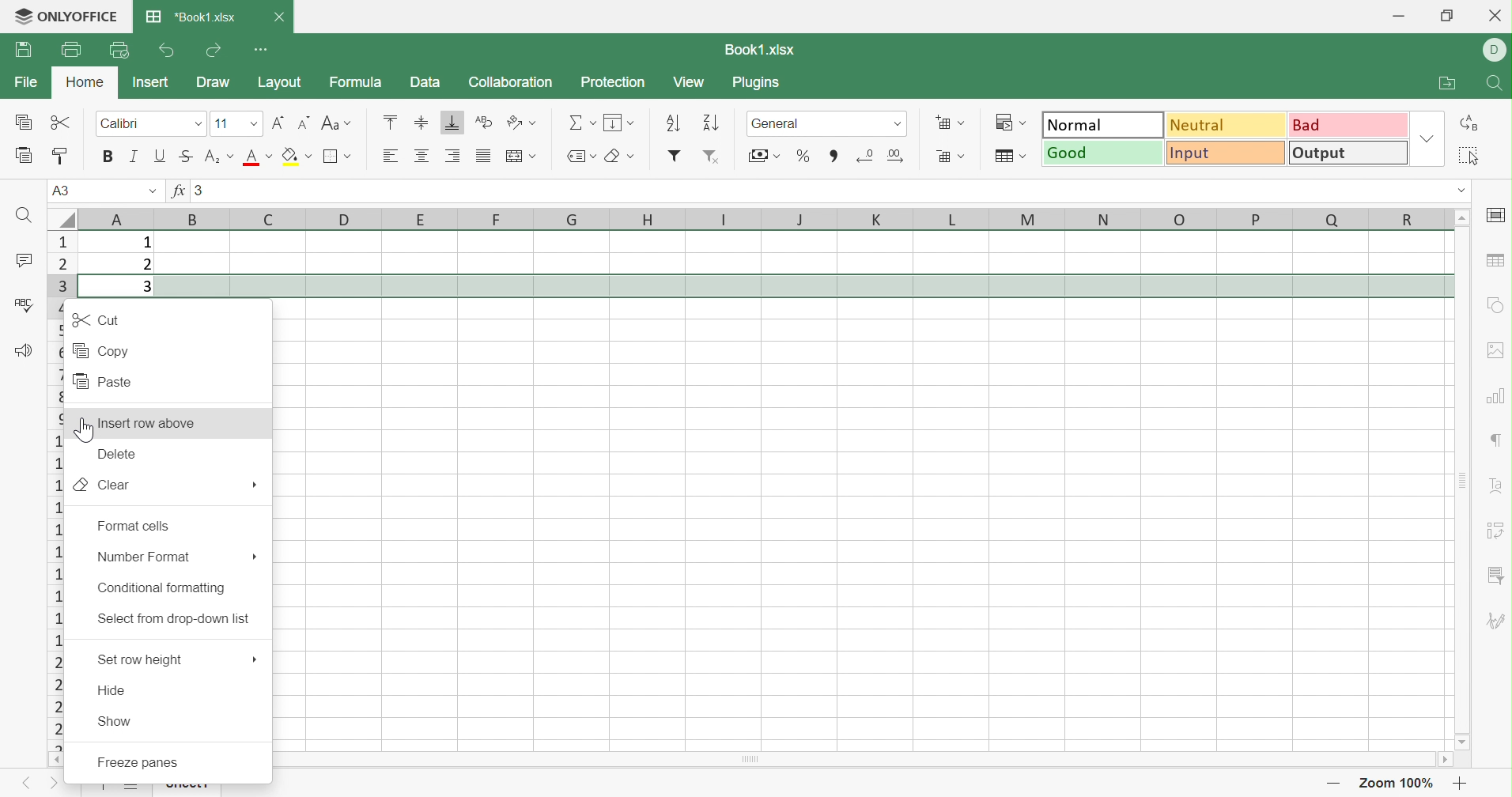  I want to click on Cursor, so click(82, 429).